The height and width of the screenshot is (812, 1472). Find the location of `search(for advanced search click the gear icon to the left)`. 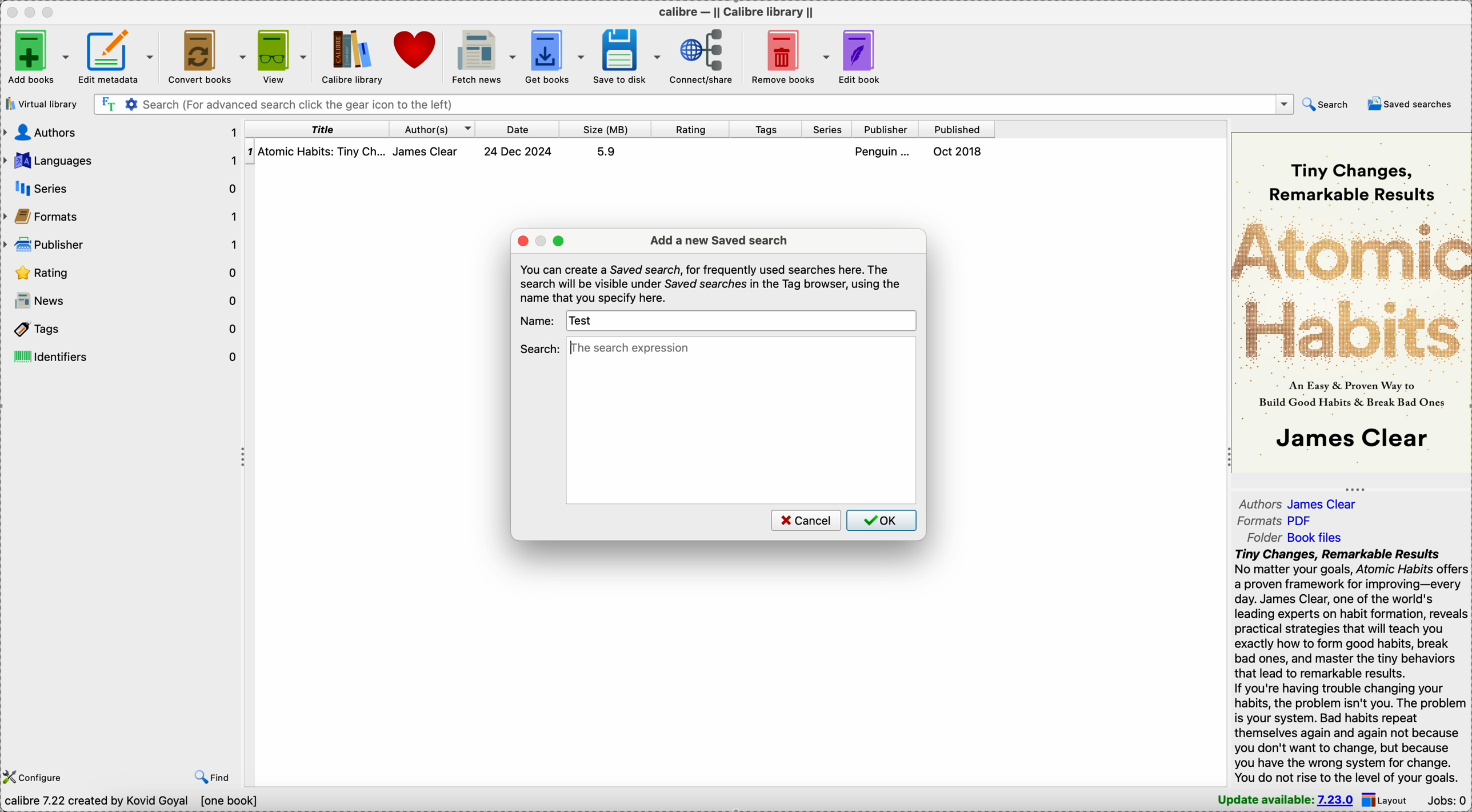

search(for advanced search click the gear icon to the left) is located at coordinates (693, 103).